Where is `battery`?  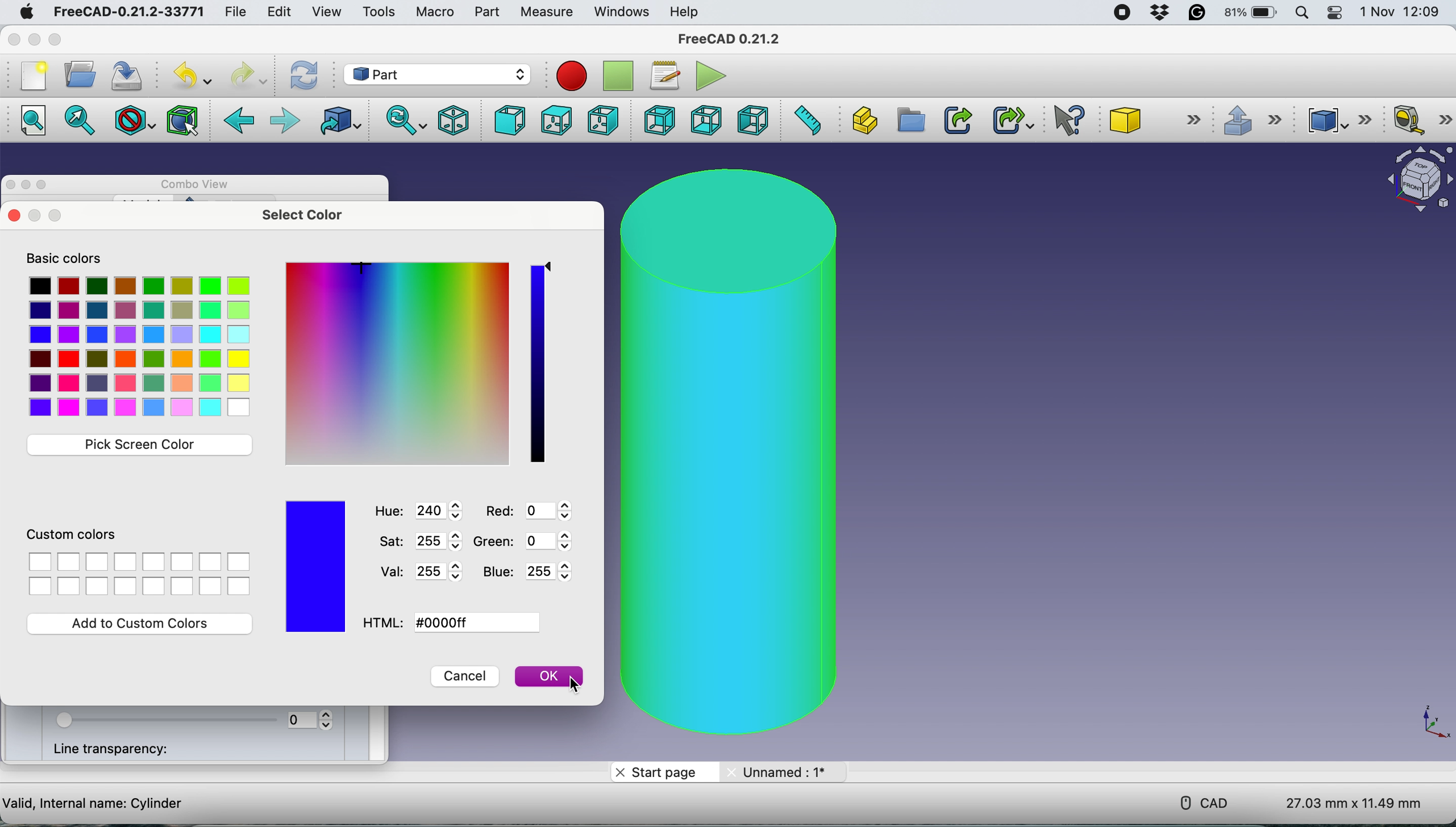
battery is located at coordinates (1251, 14).